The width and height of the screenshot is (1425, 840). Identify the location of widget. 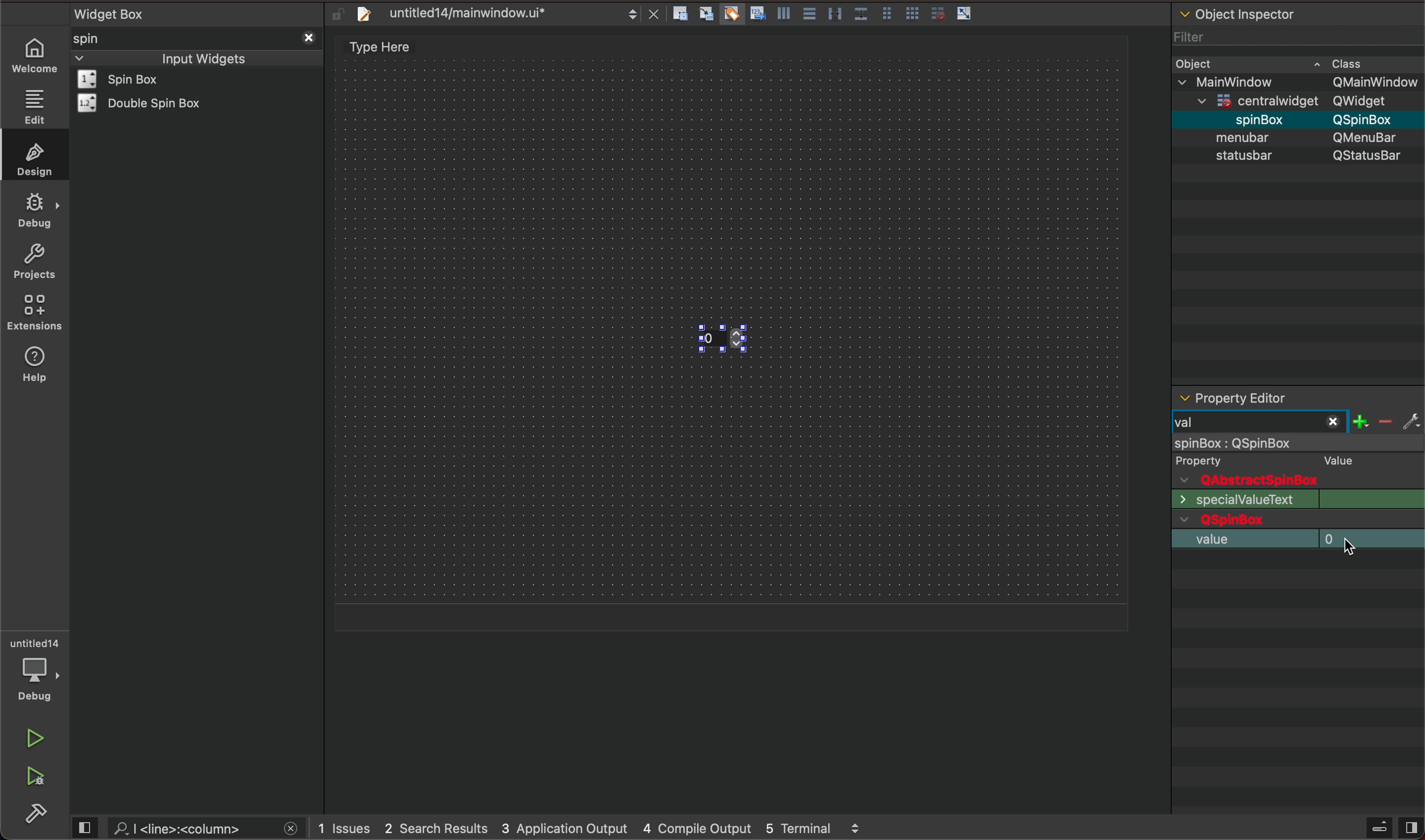
(134, 79).